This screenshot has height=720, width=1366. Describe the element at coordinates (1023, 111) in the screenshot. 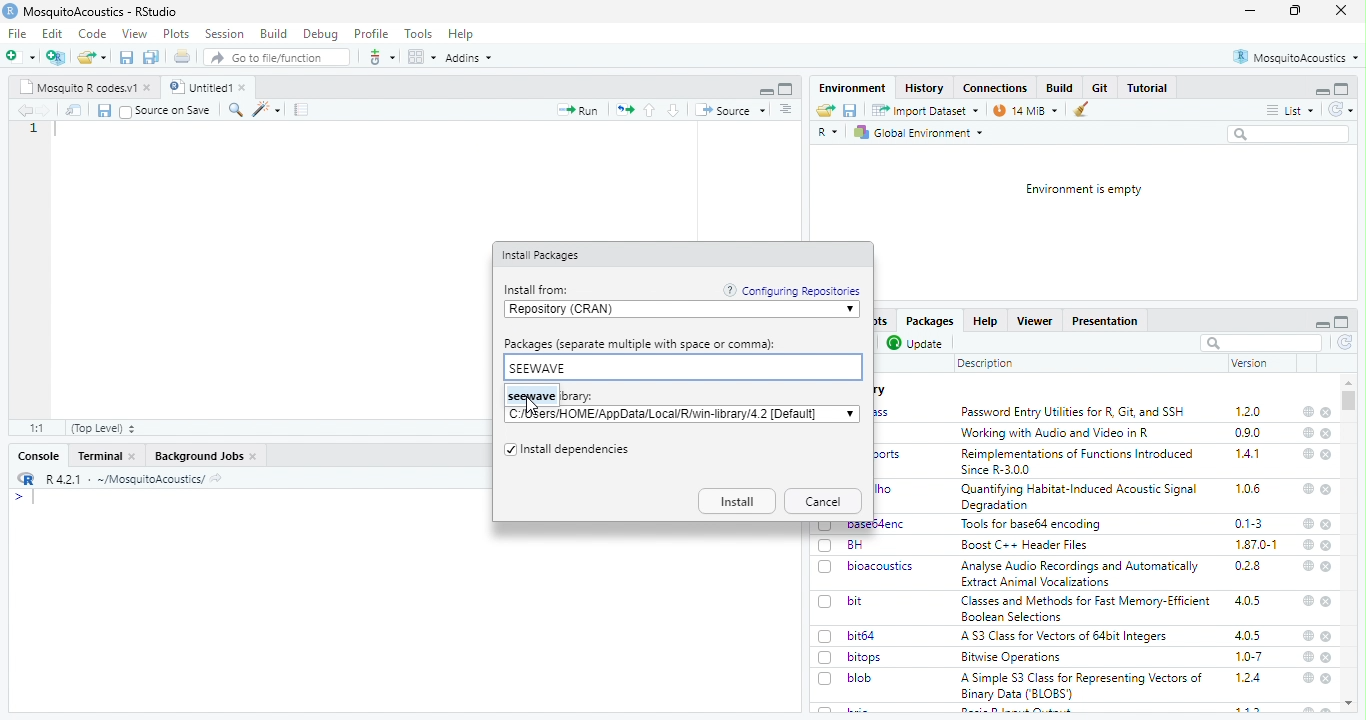

I see `6 MiB` at that location.